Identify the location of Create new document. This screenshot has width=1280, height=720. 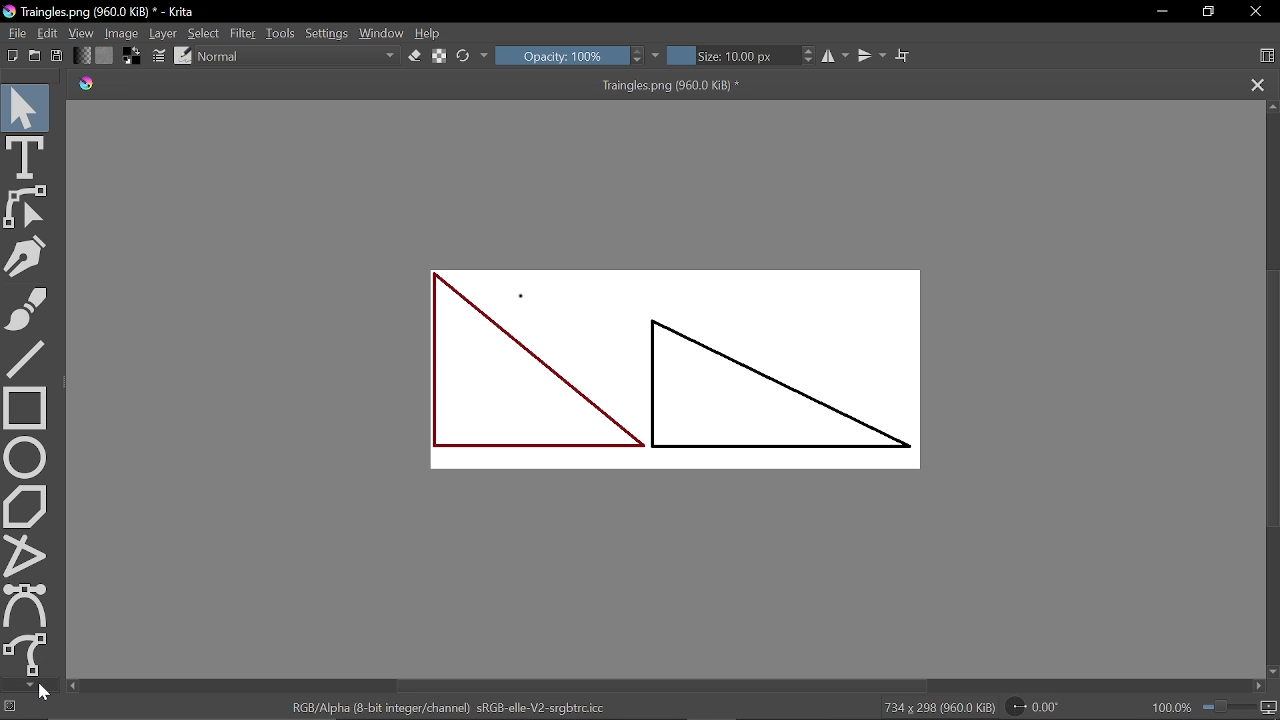
(10, 55).